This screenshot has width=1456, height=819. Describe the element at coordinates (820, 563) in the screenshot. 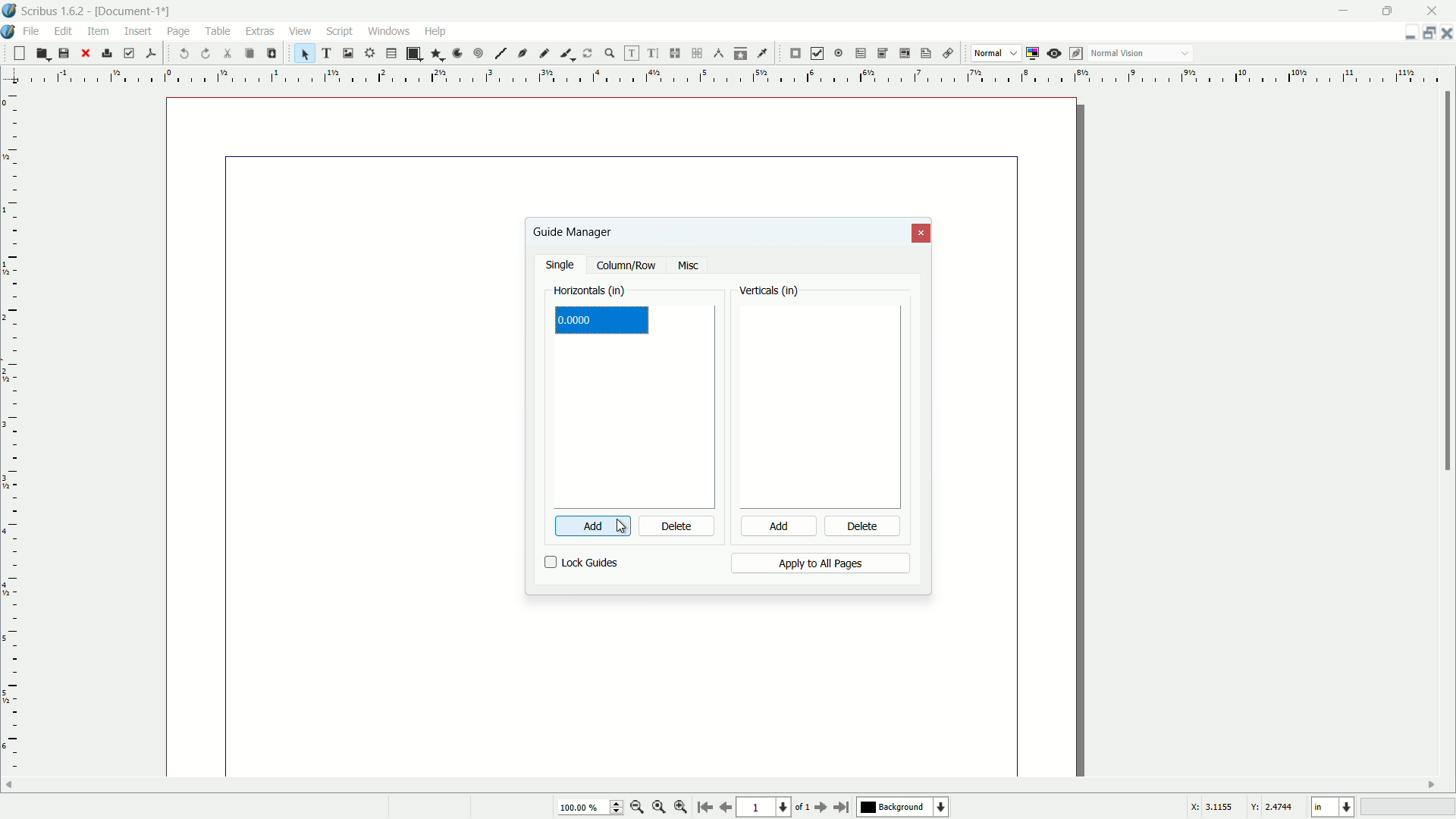

I see `apply to all pages` at that location.